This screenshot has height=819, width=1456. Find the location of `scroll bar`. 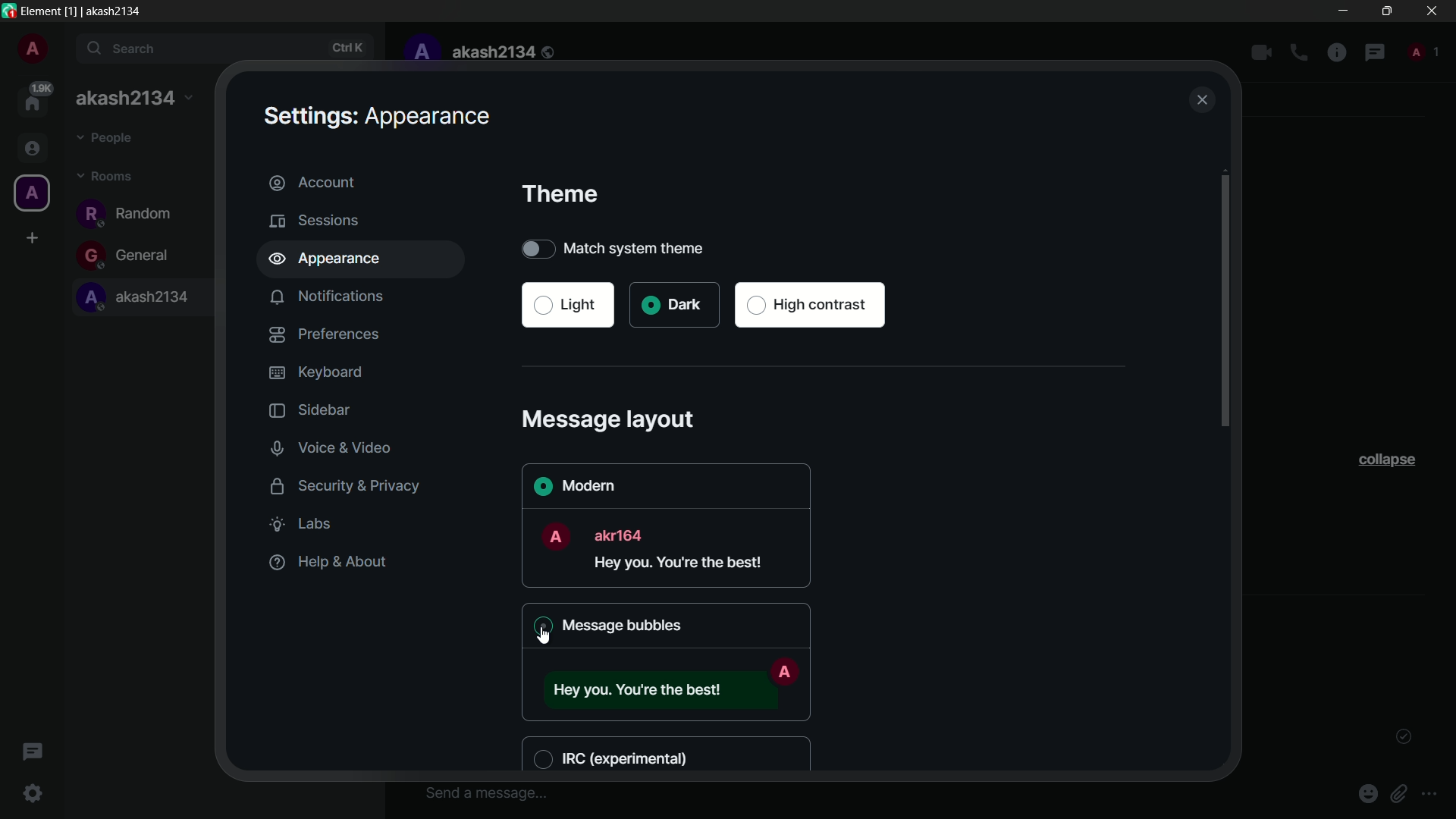

scroll bar is located at coordinates (1225, 305).